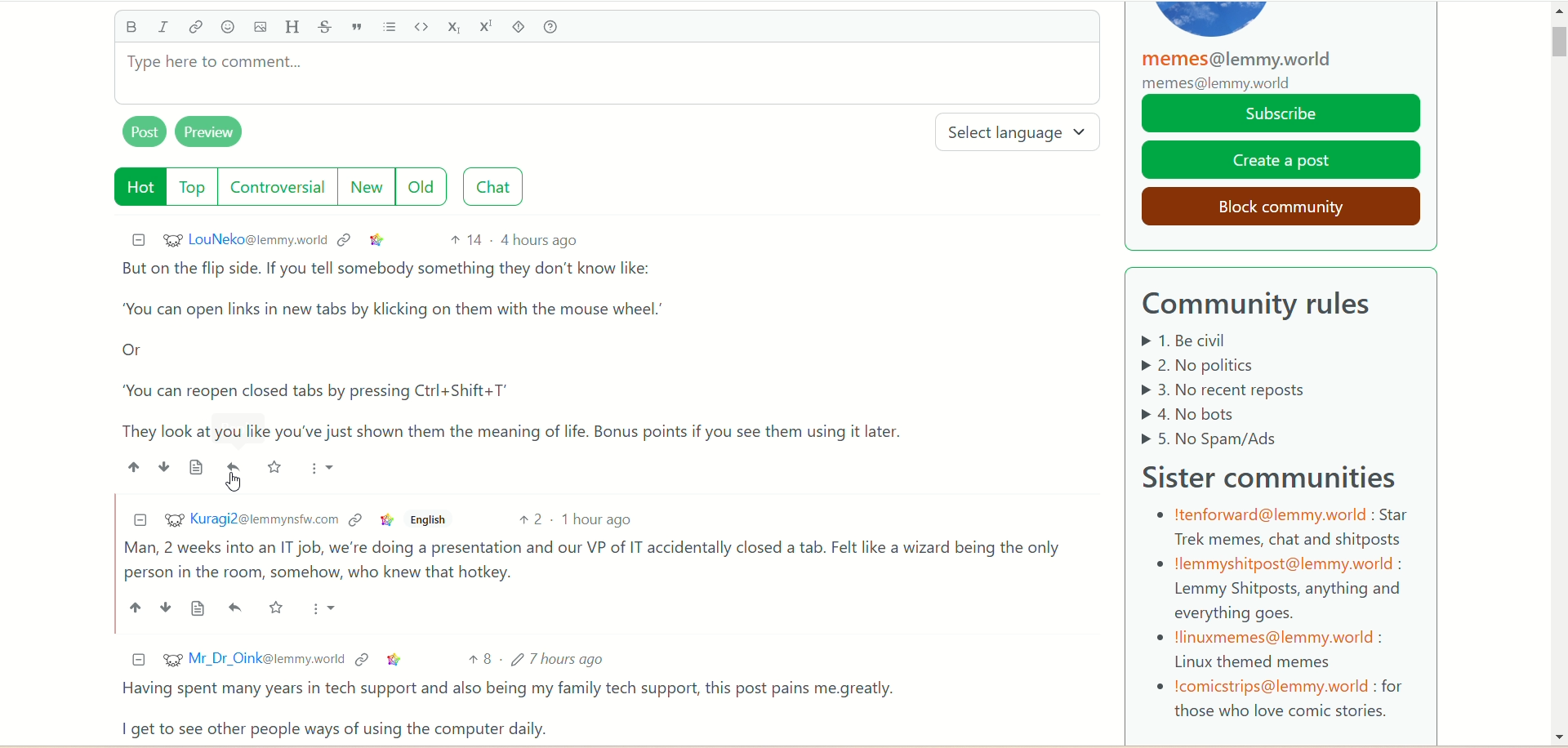  Describe the element at coordinates (528, 709) in the screenshot. I see `comment of Dr.Oink` at that location.